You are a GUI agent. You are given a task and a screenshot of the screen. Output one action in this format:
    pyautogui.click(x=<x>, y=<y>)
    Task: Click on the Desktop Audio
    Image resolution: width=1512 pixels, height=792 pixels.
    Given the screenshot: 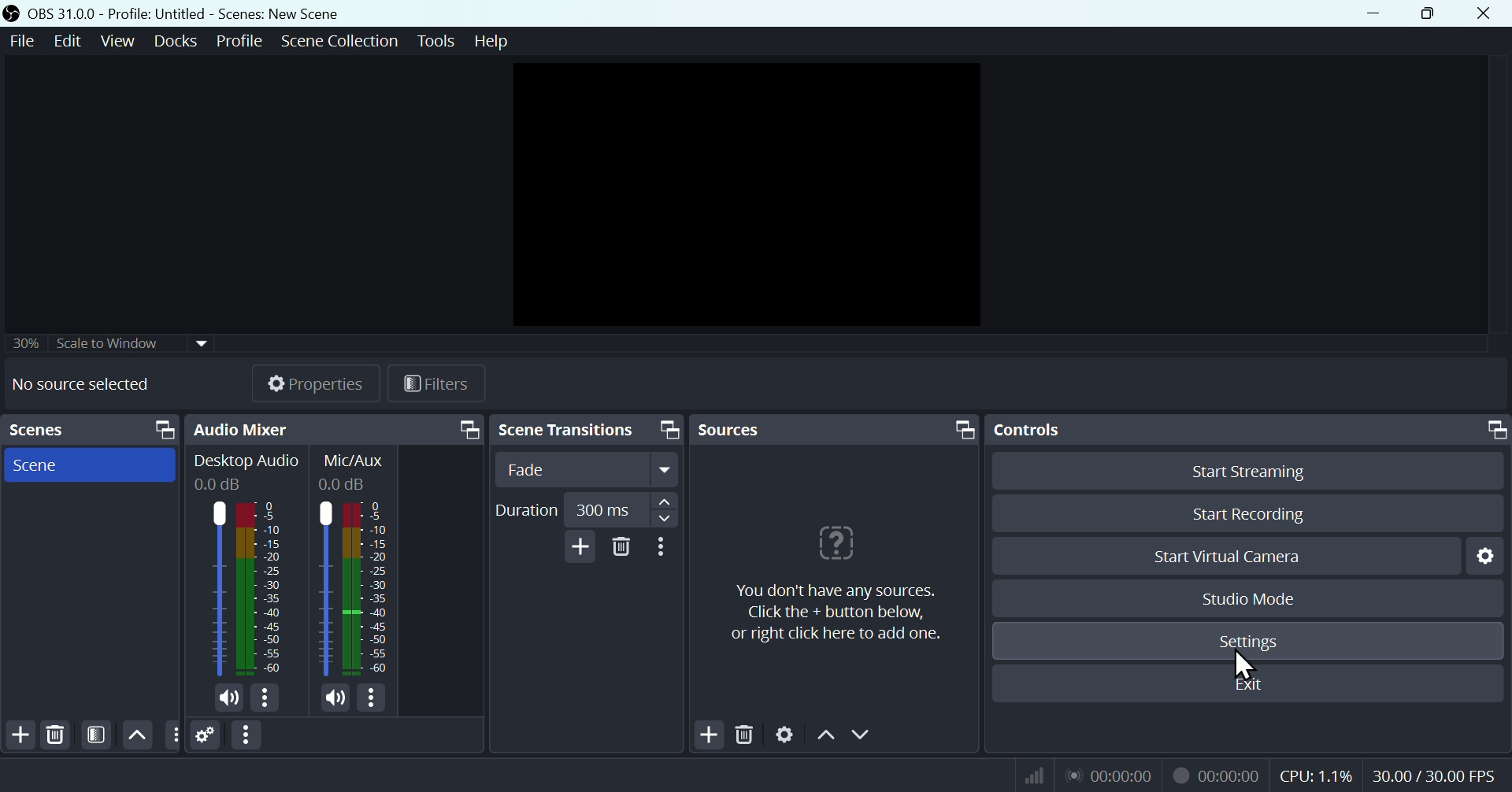 What is the action you would take?
    pyautogui.click(x=244, y=470)
    